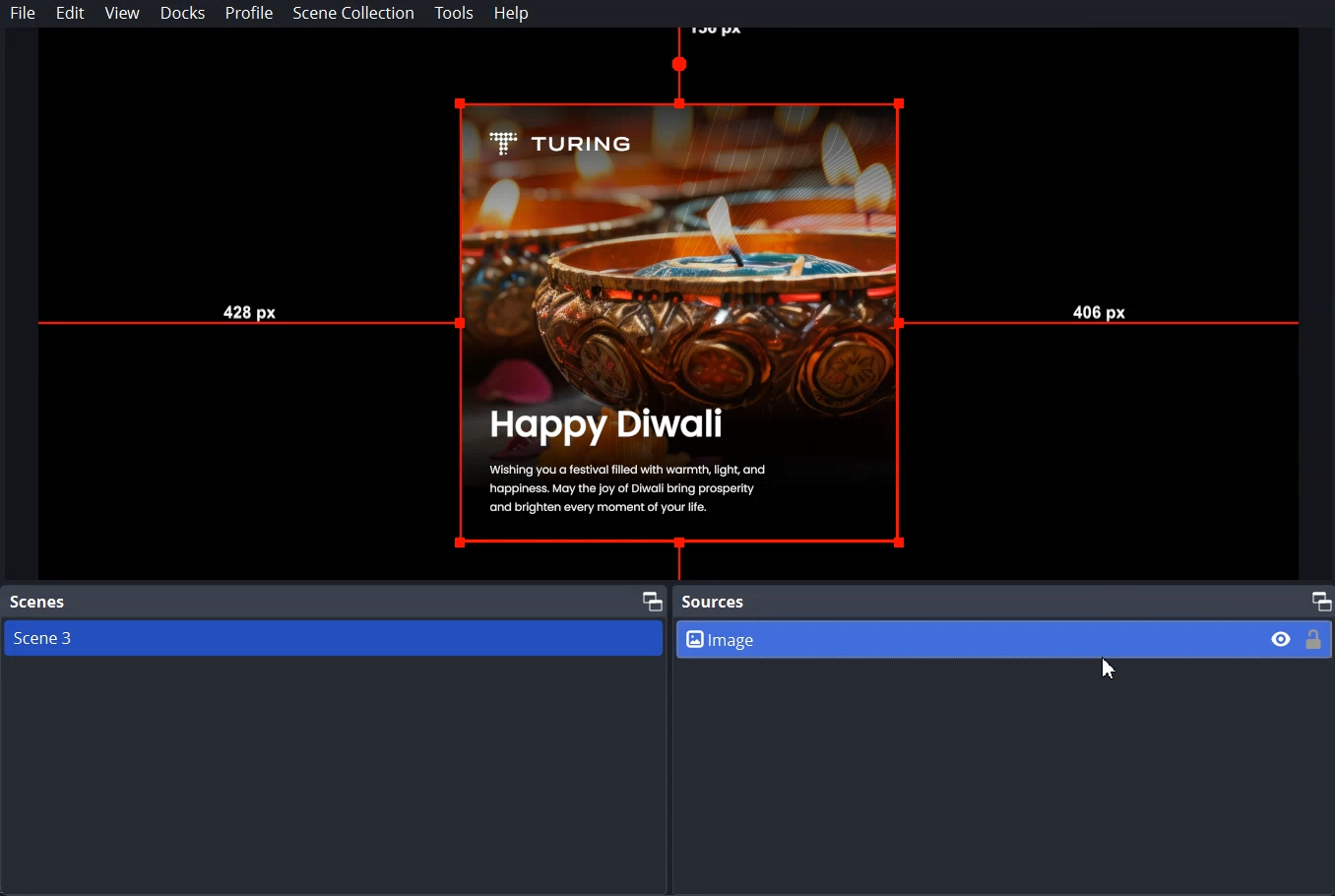  What do you see at coordinates (1314, 638) in the screenshot?
I see `Lock` at bounding box center [1314, 638].